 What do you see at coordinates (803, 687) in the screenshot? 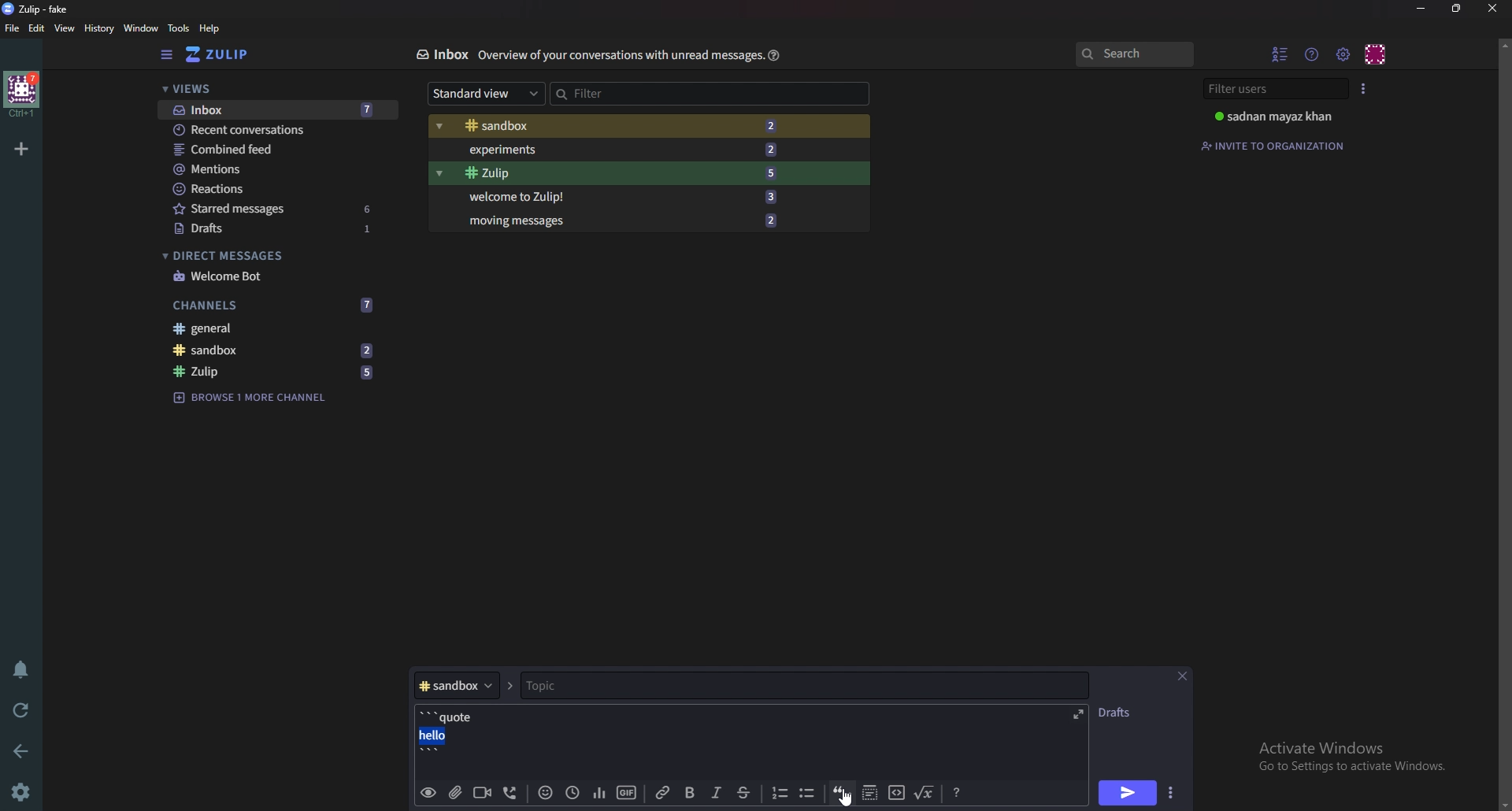
I see `Topic` at bounding box center [803, 687].